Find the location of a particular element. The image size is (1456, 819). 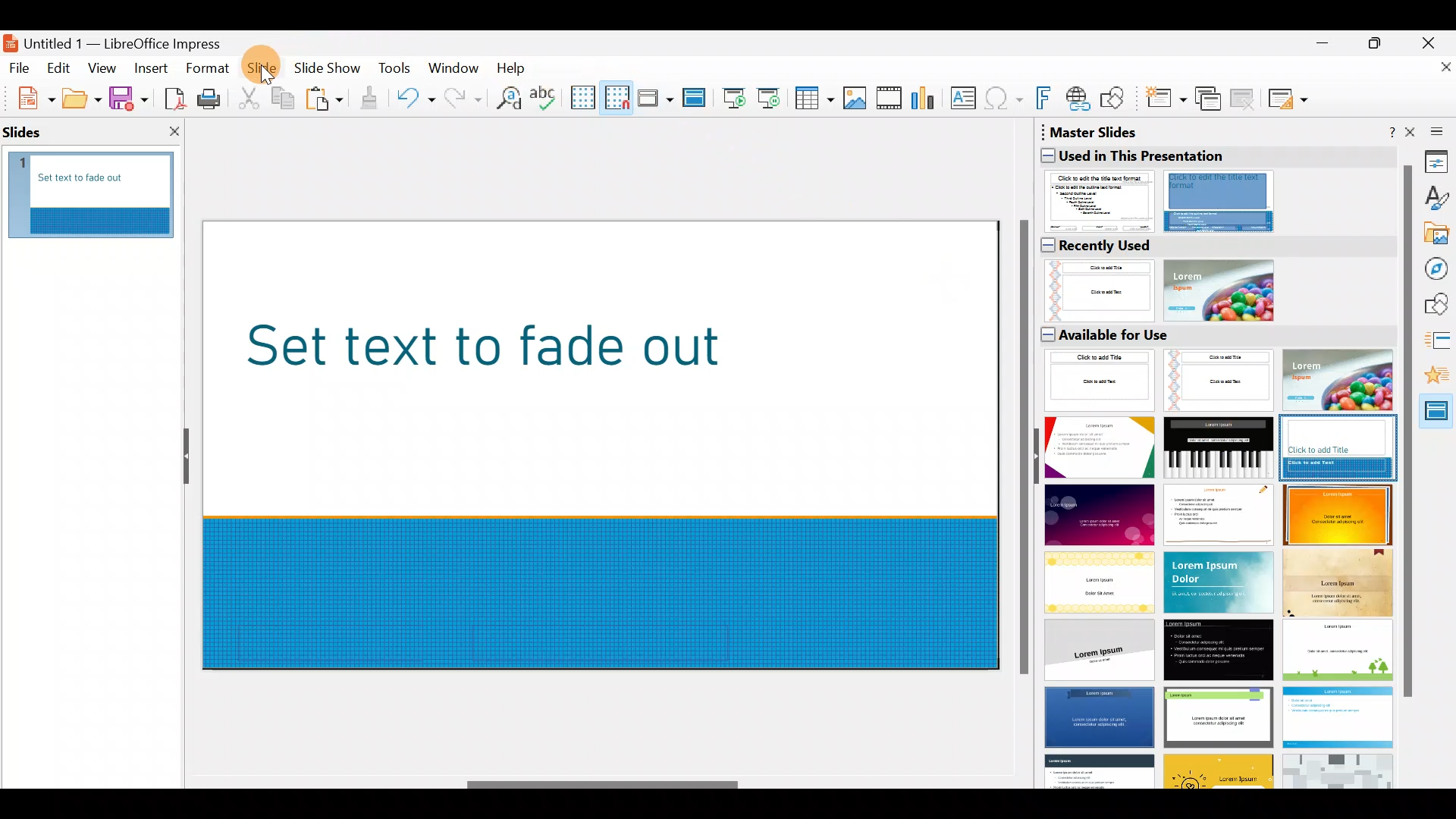

Document name is located at coordinates (124, 39).